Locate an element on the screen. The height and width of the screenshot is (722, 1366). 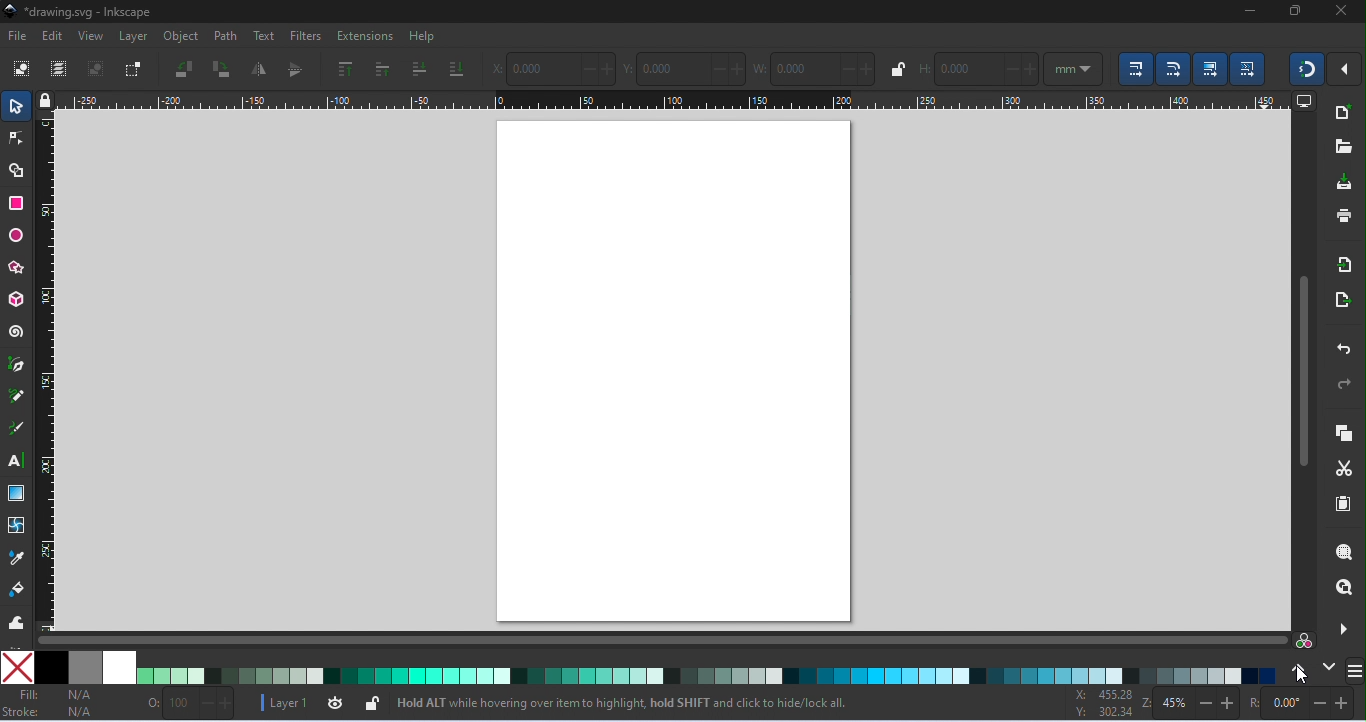
zoom drawing is located at coordinates (1342, 586).